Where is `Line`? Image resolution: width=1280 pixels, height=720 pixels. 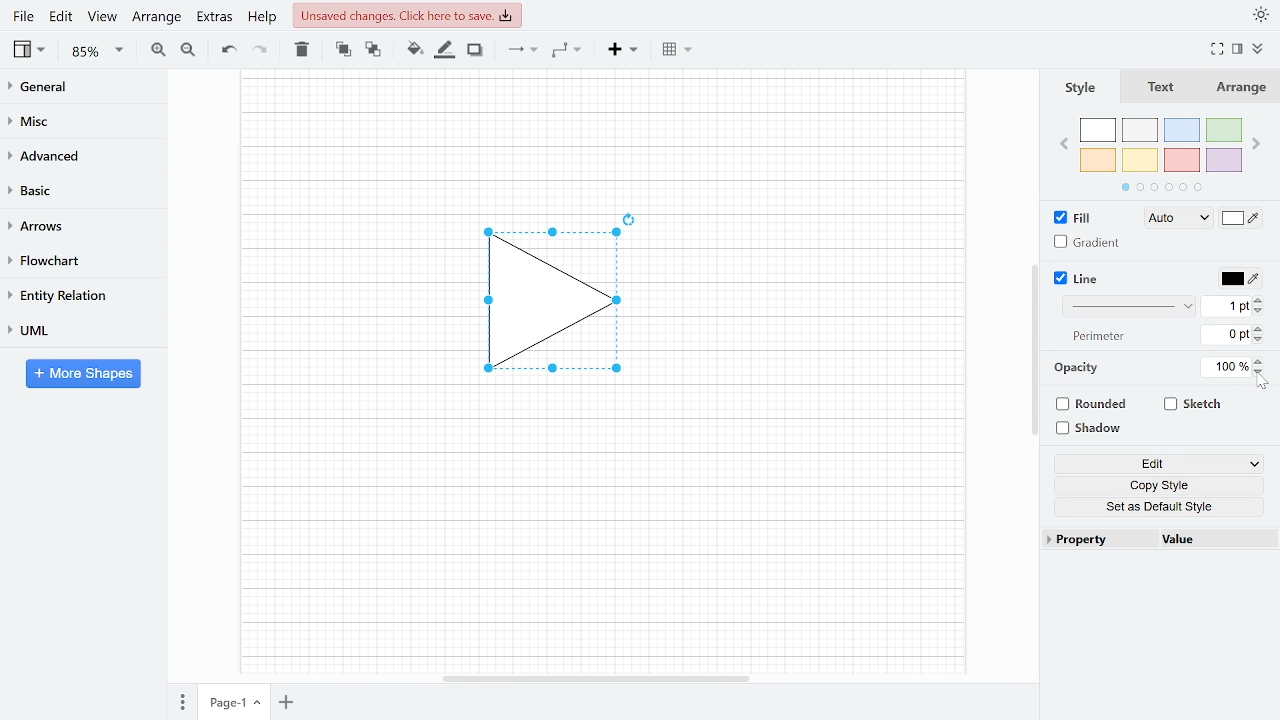 Line is located at coordinates (1078, 279).